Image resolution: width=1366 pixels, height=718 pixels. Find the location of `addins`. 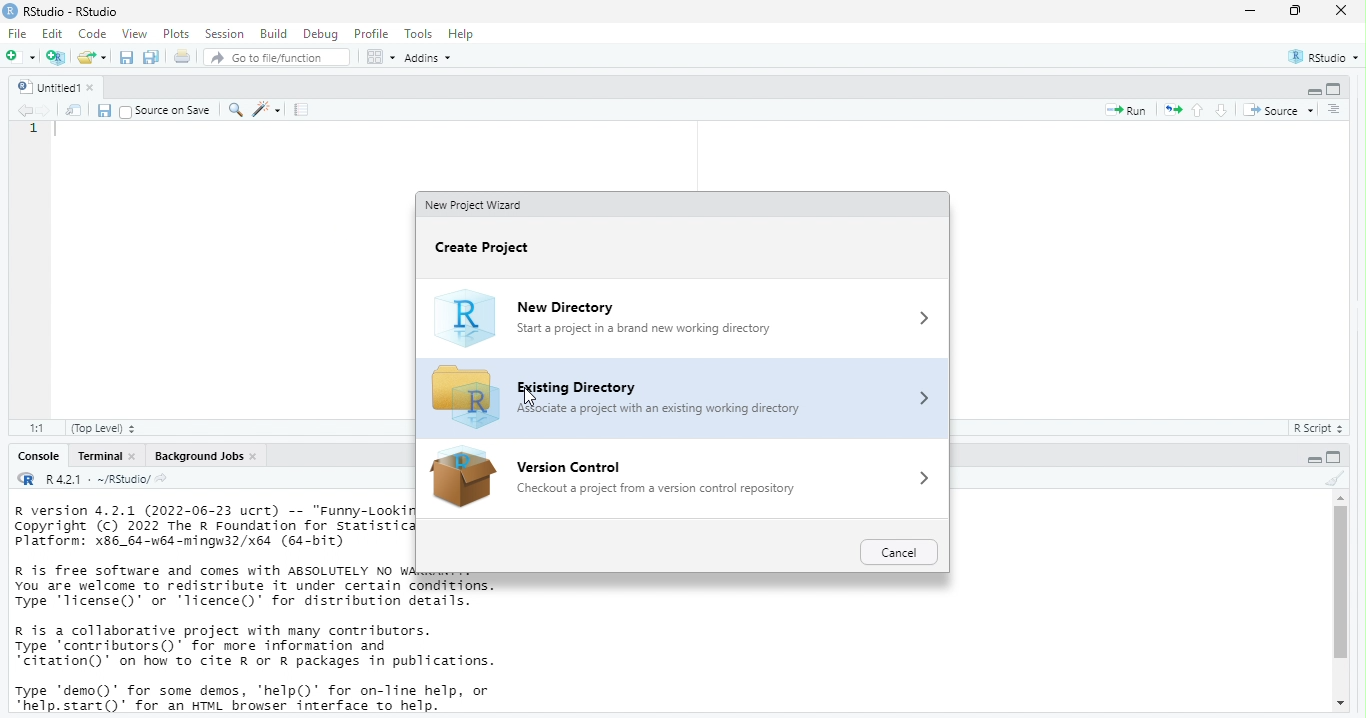

addins is located at coordinates (431, 56).